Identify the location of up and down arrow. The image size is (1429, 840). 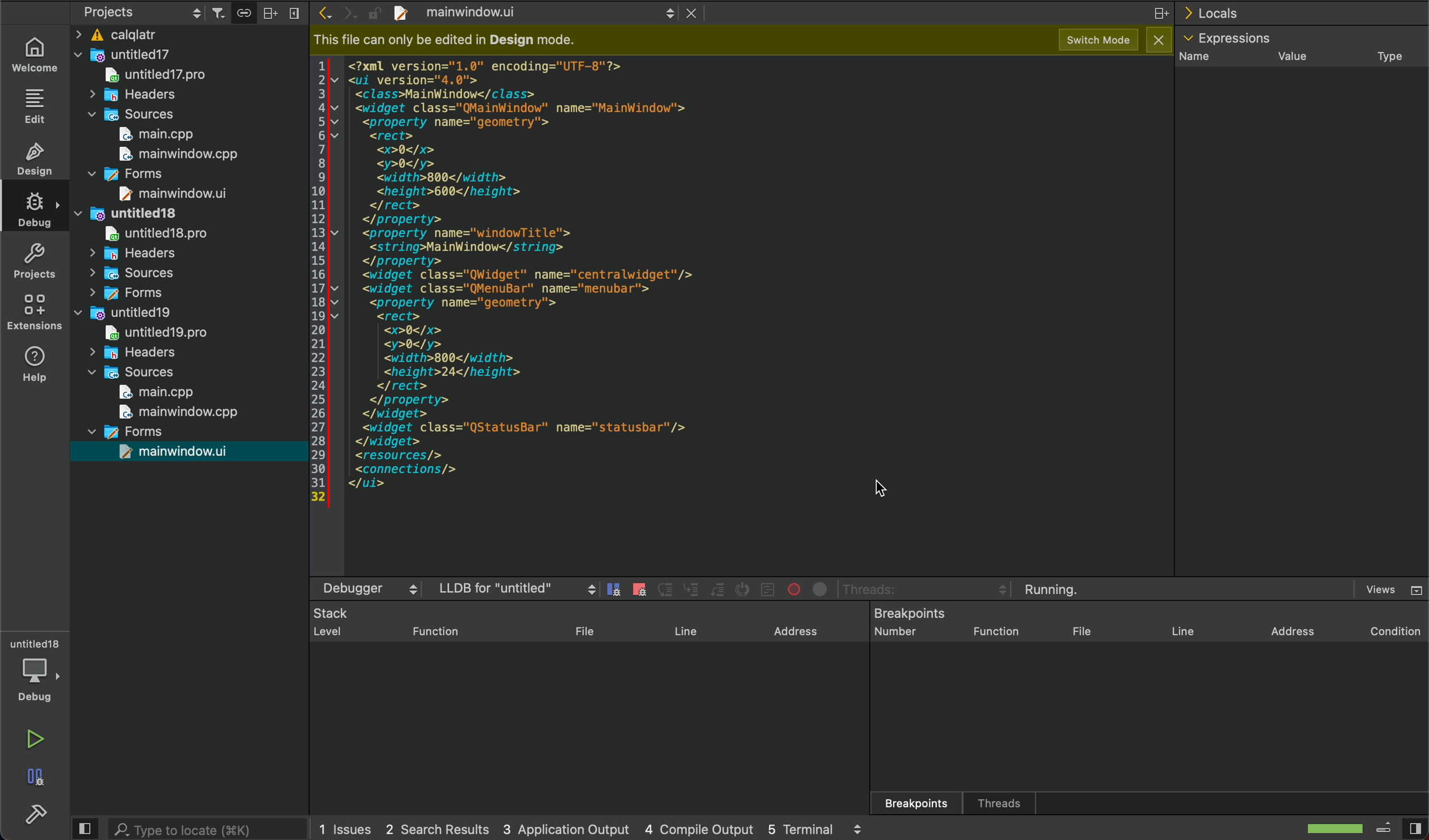
(644, 15).